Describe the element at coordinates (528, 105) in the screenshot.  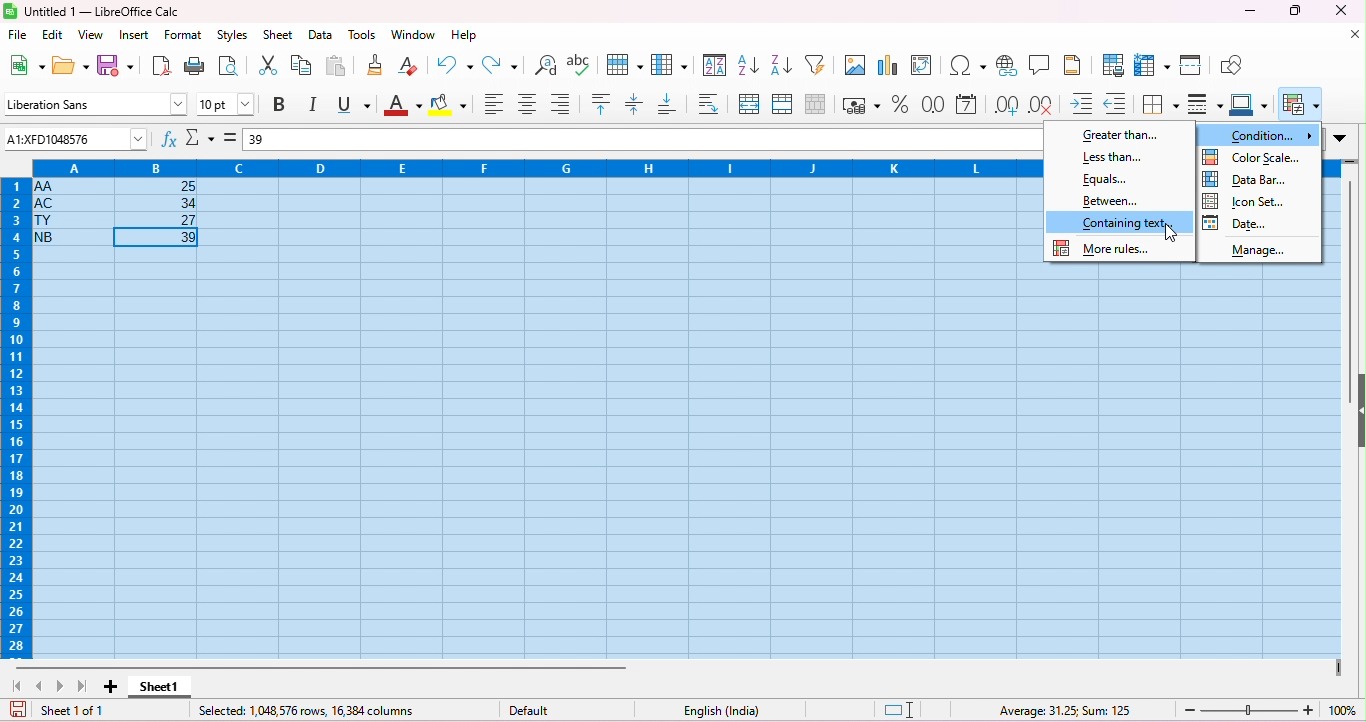
I see `align center` at that location.